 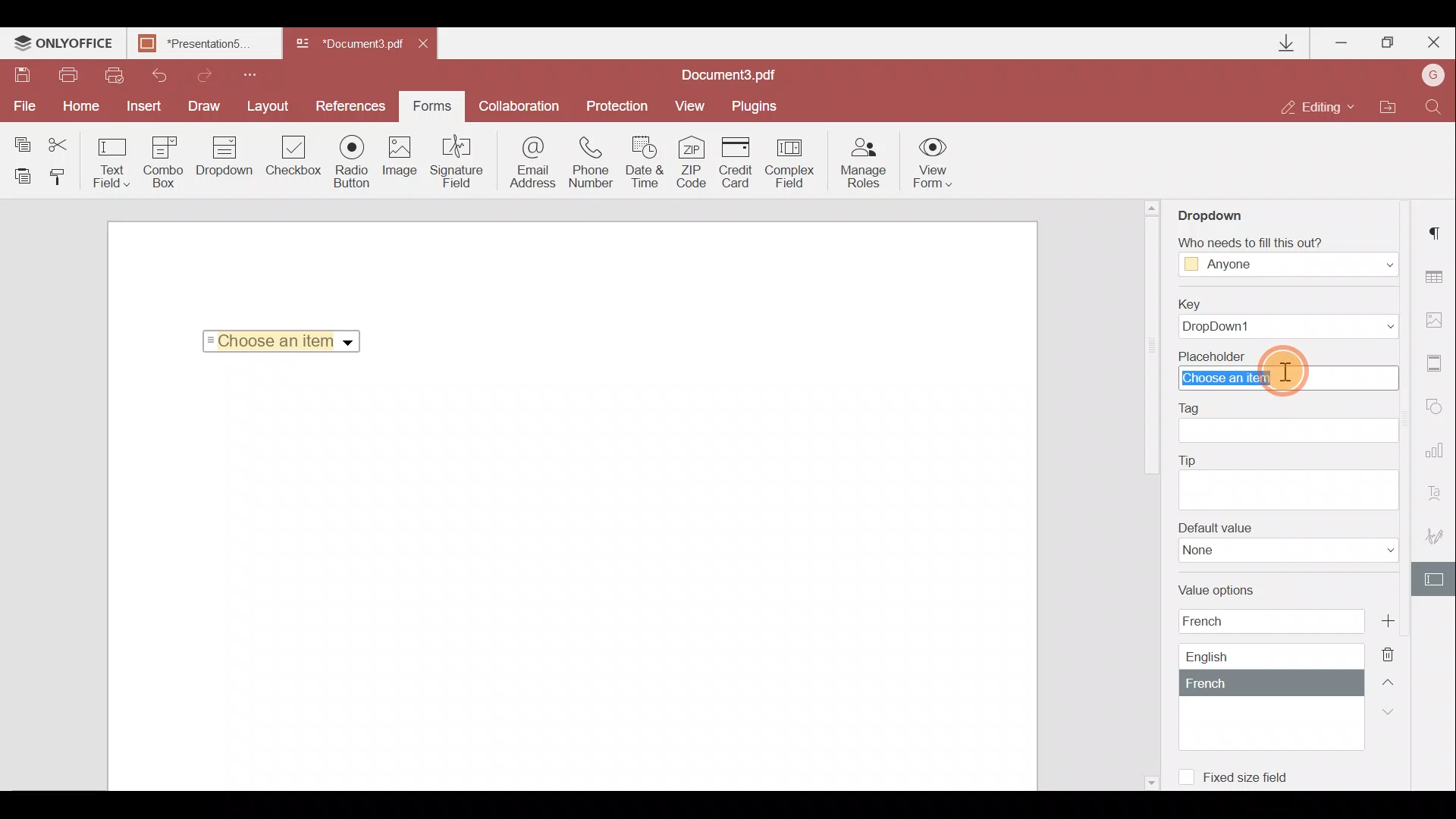 What do you see at coordinates (696, 165) in the screenshot?
I see `ZIP code` at bounding box center [696, 165].